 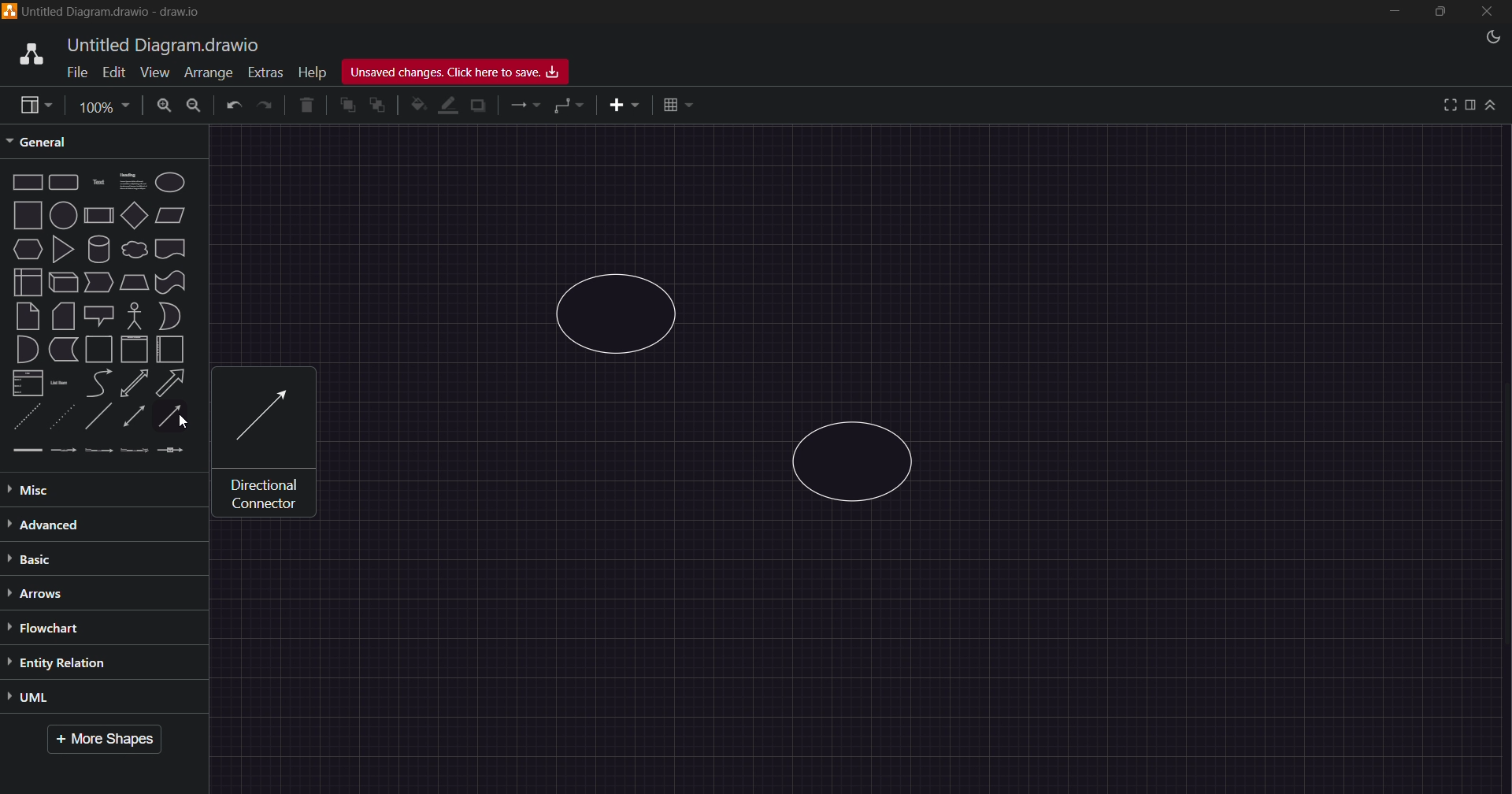 What do you see at coordinates (570, 107) in the screenshot?
I see `waypoints` at bounding box center [570, 107].